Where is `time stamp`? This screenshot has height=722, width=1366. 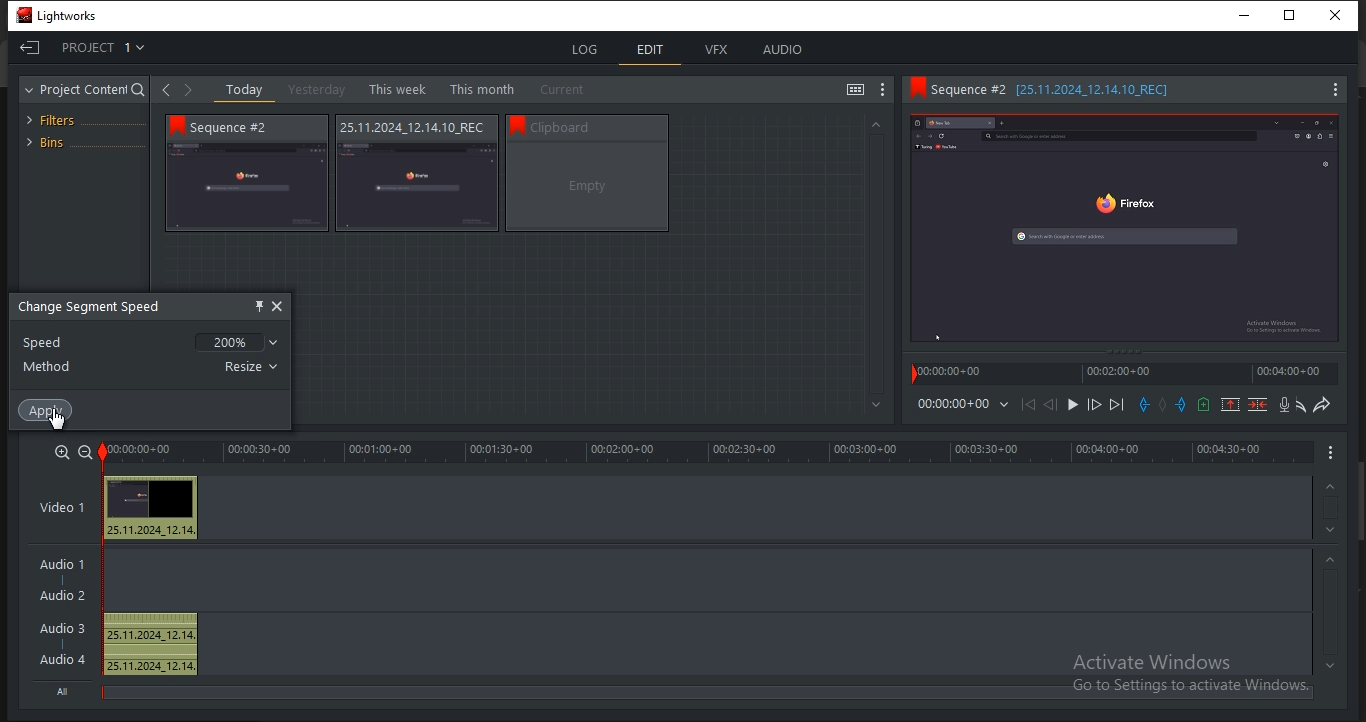
time stamp is located at coordinates (951, 374).